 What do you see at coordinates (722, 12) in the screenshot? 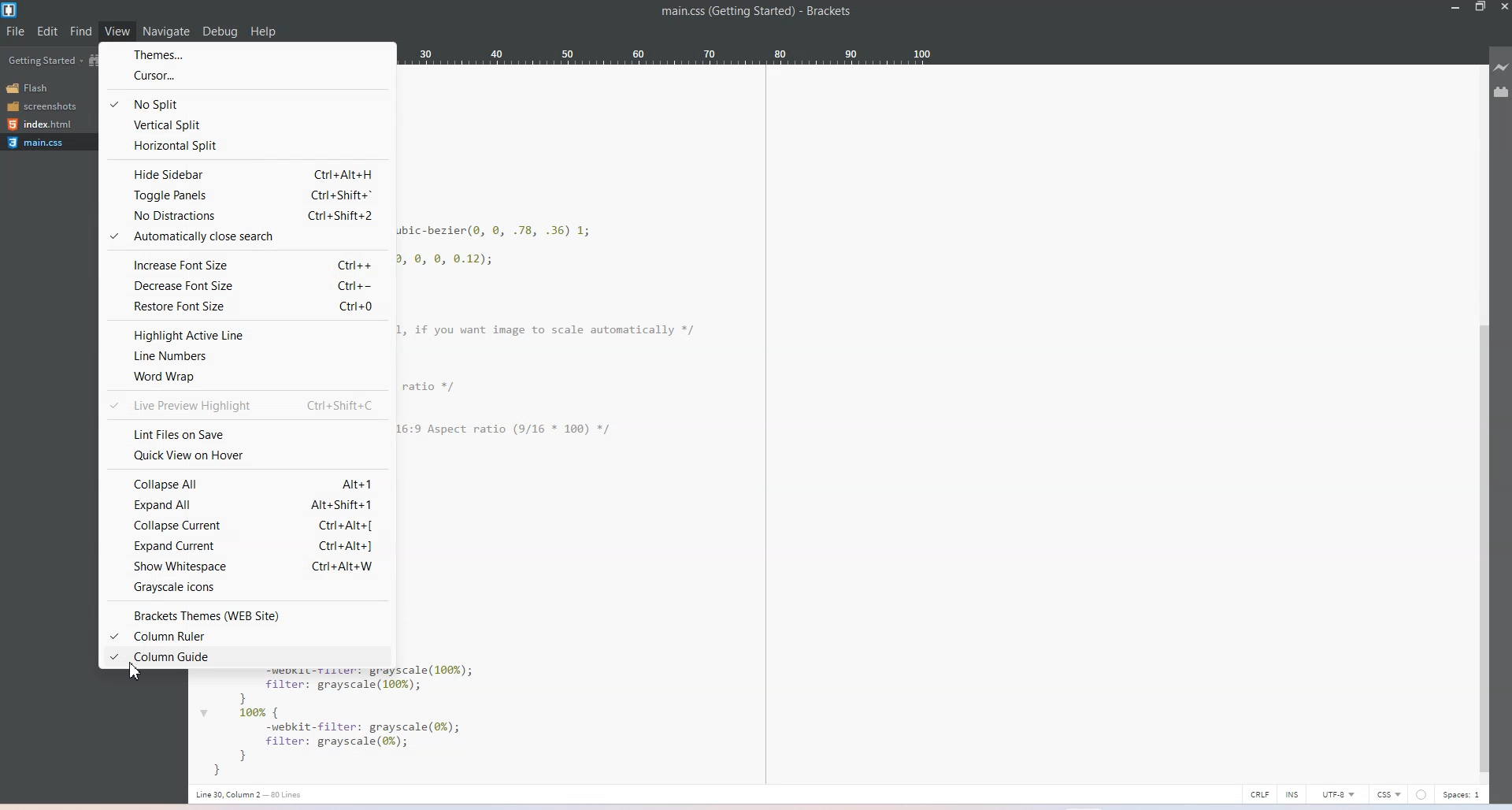
I see `main.css ` at bounding box center [722, 12].